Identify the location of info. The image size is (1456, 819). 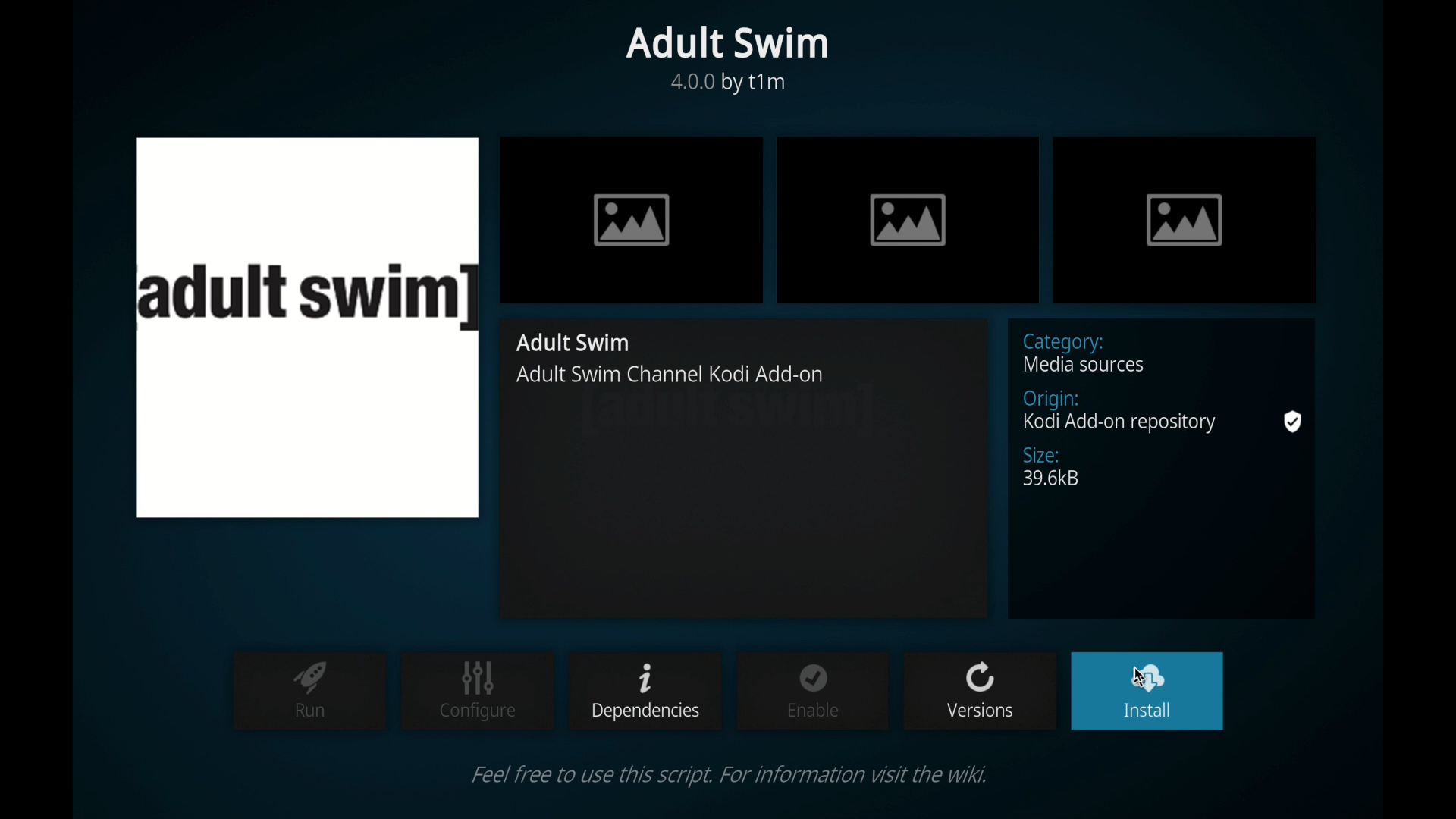
(730, 84).